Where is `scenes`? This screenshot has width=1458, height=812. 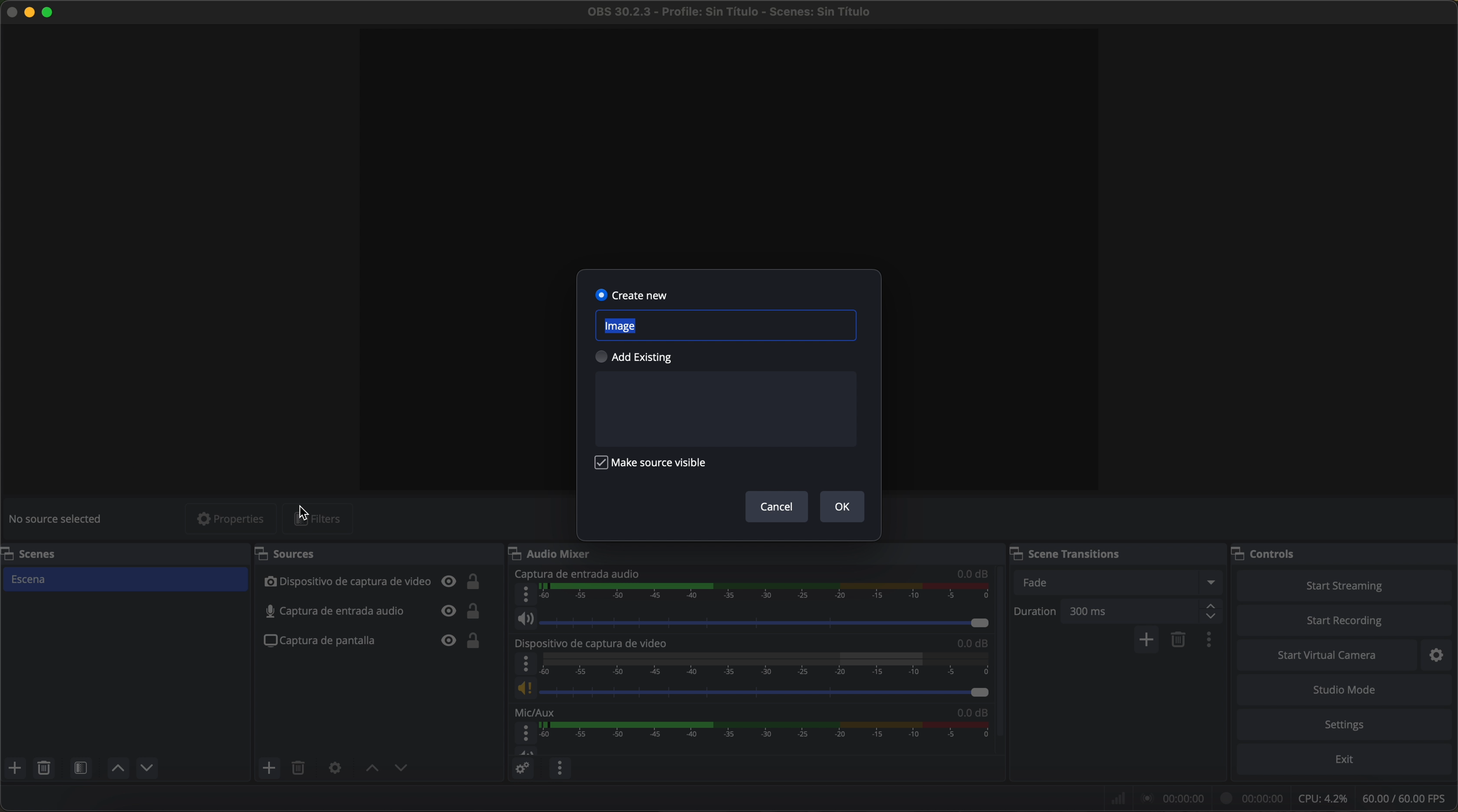
scenes is located at coordinates (31, 553).